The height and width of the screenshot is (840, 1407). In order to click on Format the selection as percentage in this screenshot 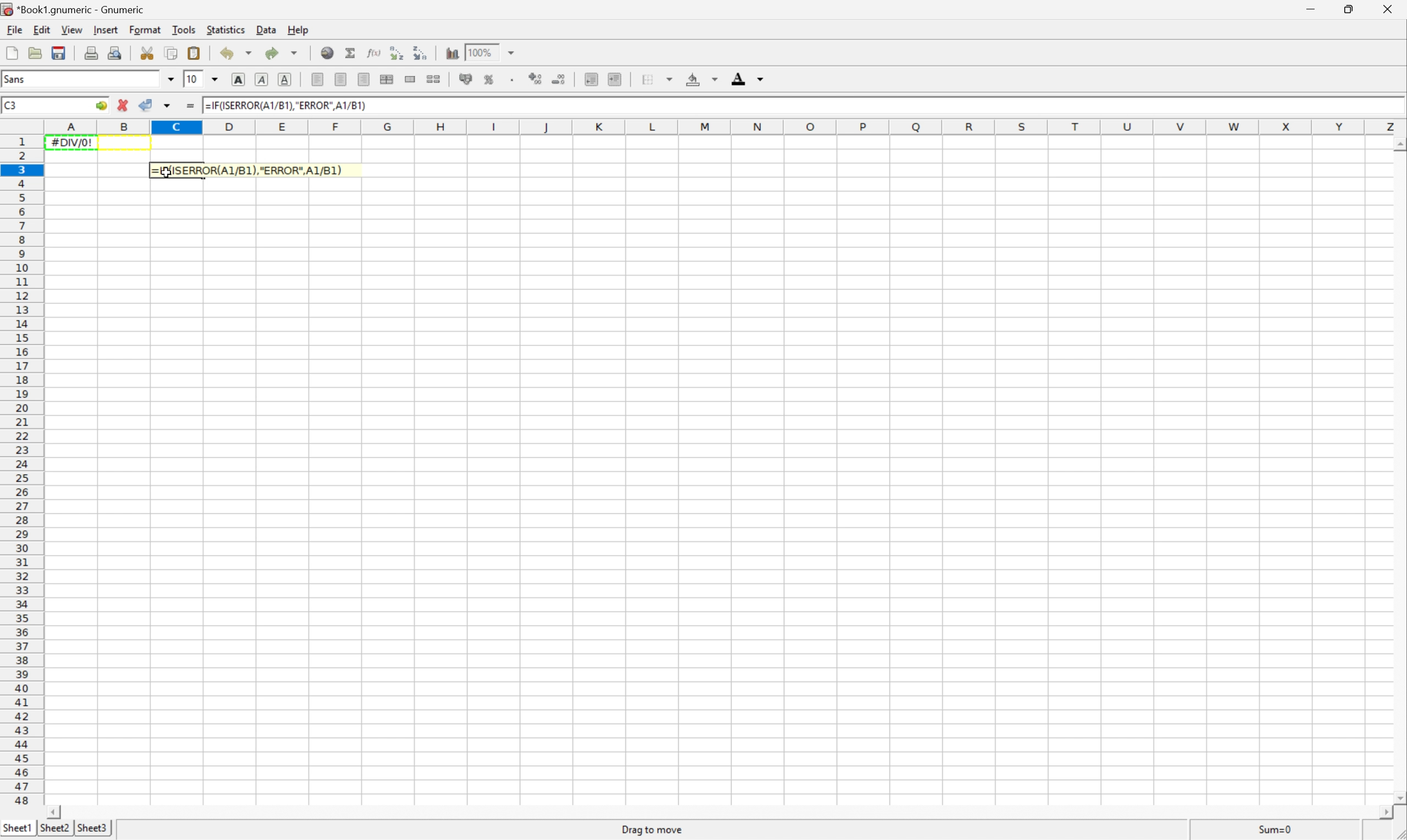, I will do `click(490, 79)`.